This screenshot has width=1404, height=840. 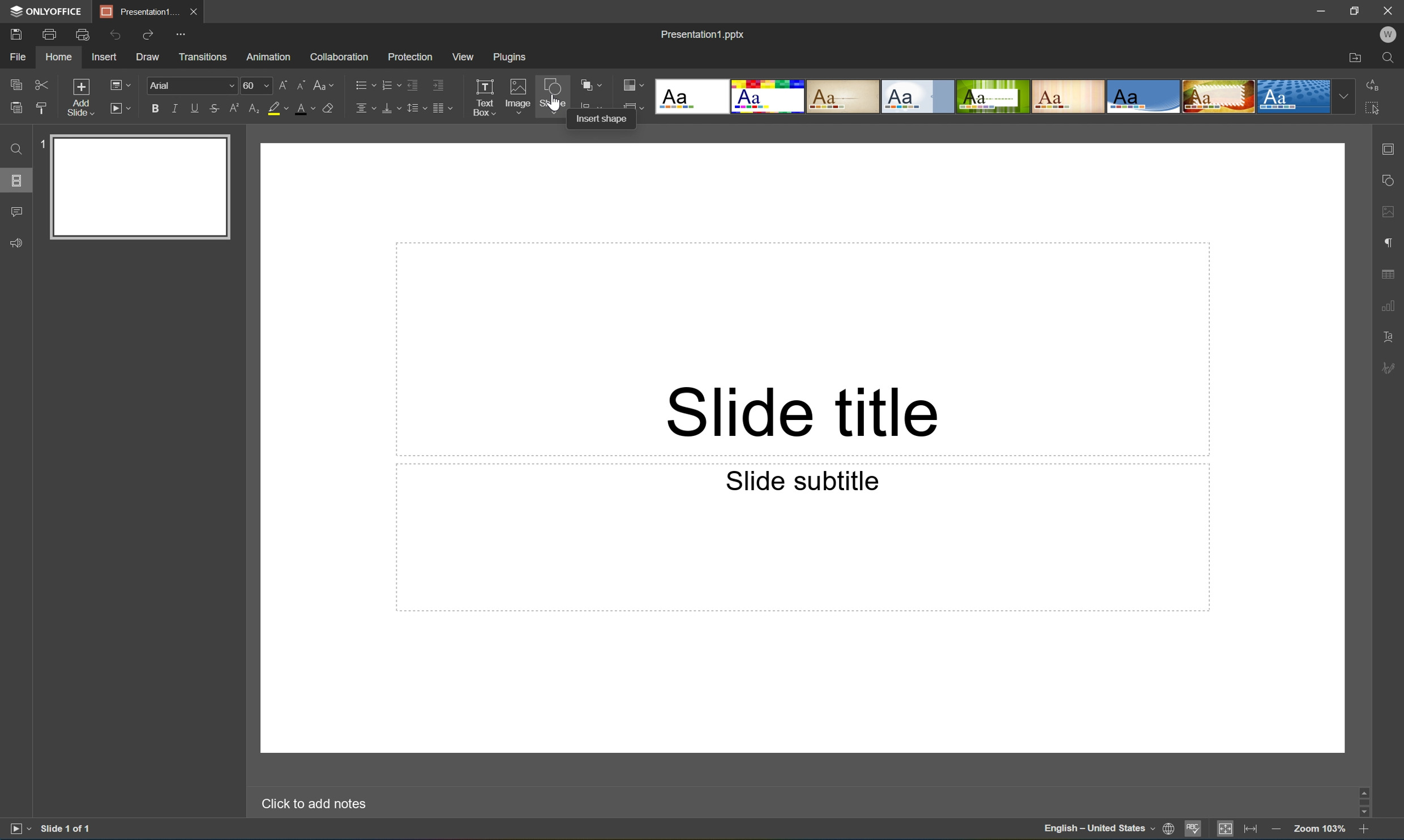 I want to click on image settings, so click(x=1388, y=214).